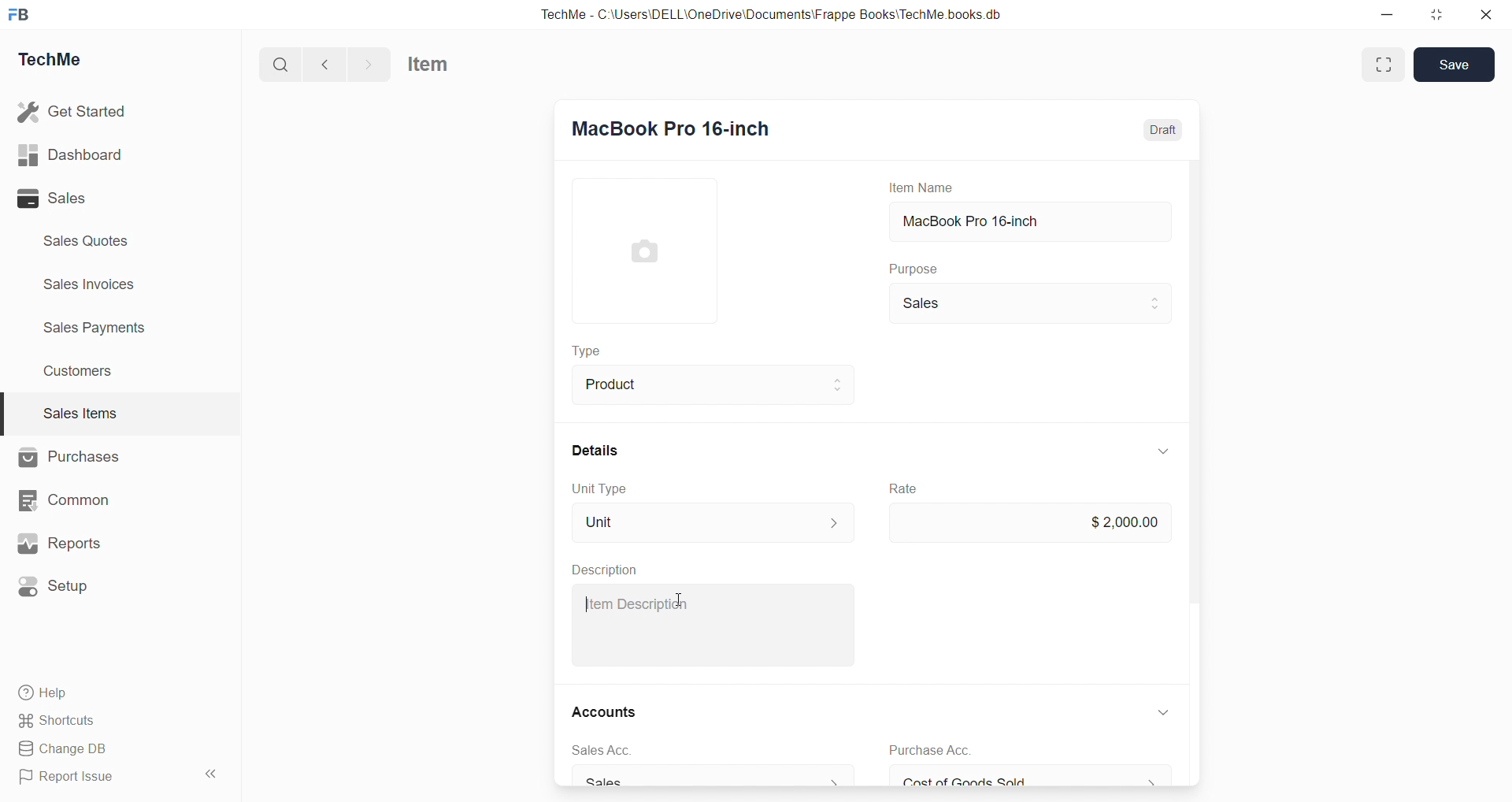 The image size is (1512, 802). What do you see at coordinates (636, 603) in the screenshot?
I see `Item Description` at bounding box center [636, 603].